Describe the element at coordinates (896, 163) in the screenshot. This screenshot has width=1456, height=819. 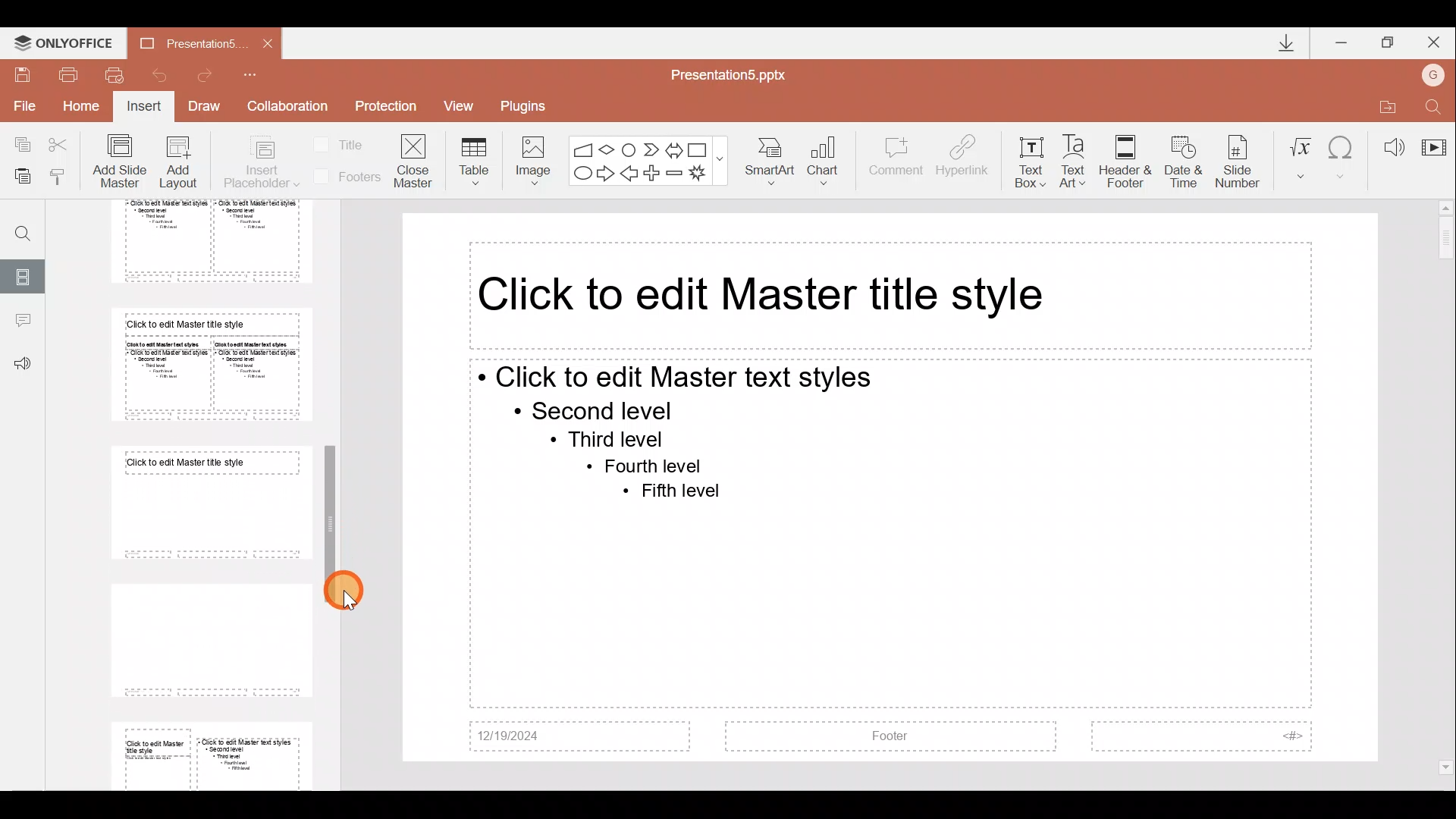
I see `Comment` at that location.